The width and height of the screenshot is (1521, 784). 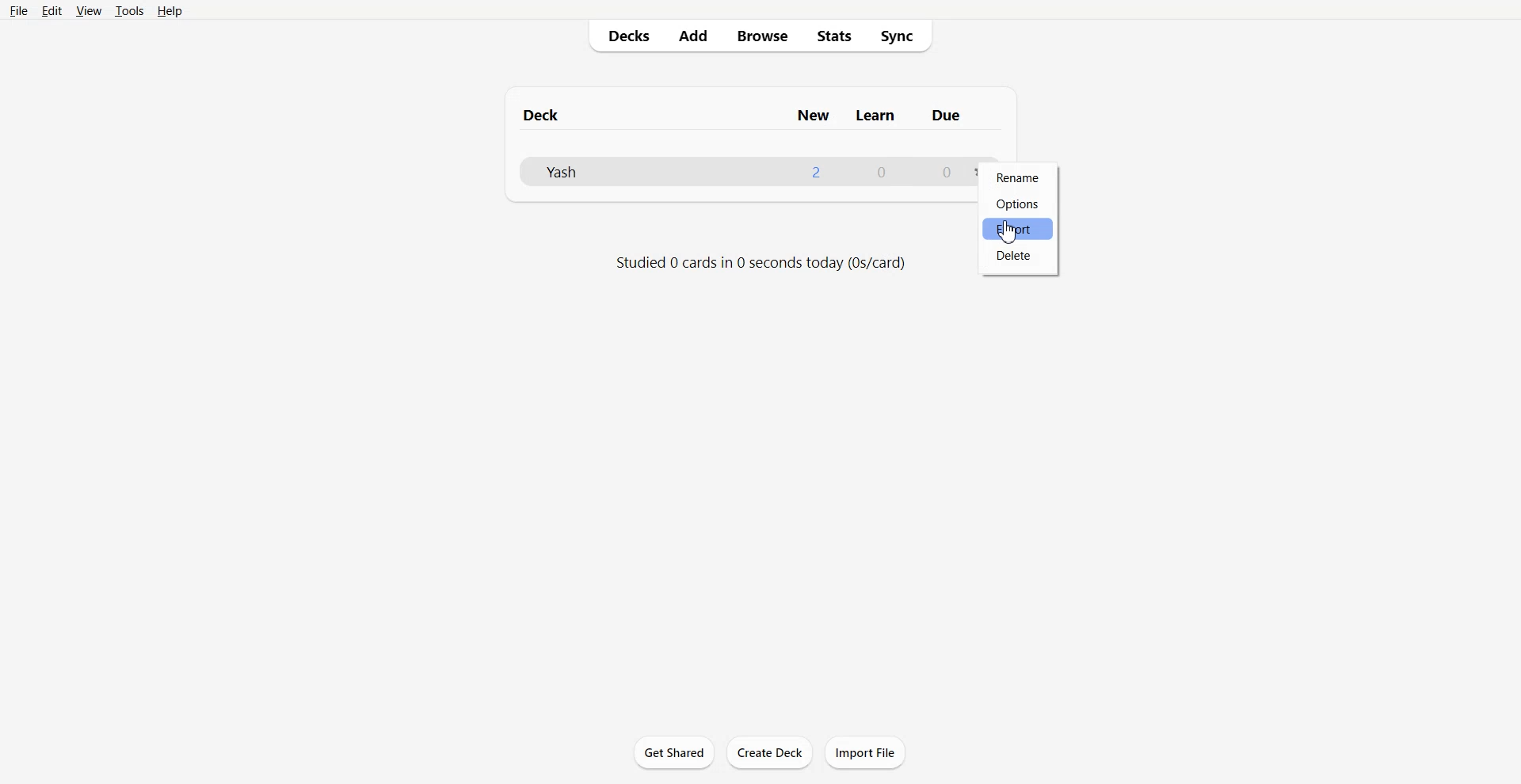 What do you see at coordinates (947, 116) in the screenshot?
I see `due` at bounding box center [947, 116].